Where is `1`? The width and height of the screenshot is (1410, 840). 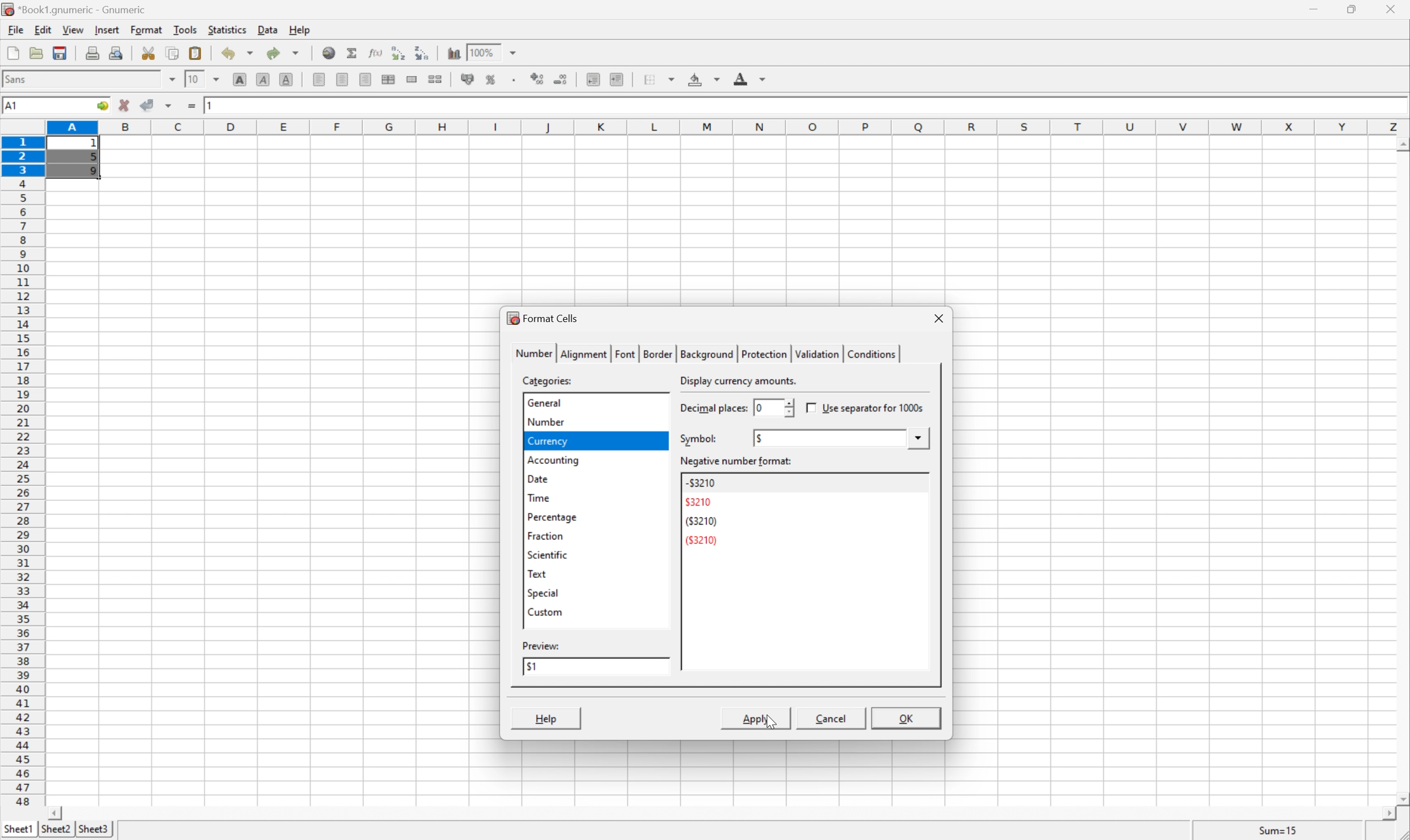
1 is located at coordinates (96, 144).